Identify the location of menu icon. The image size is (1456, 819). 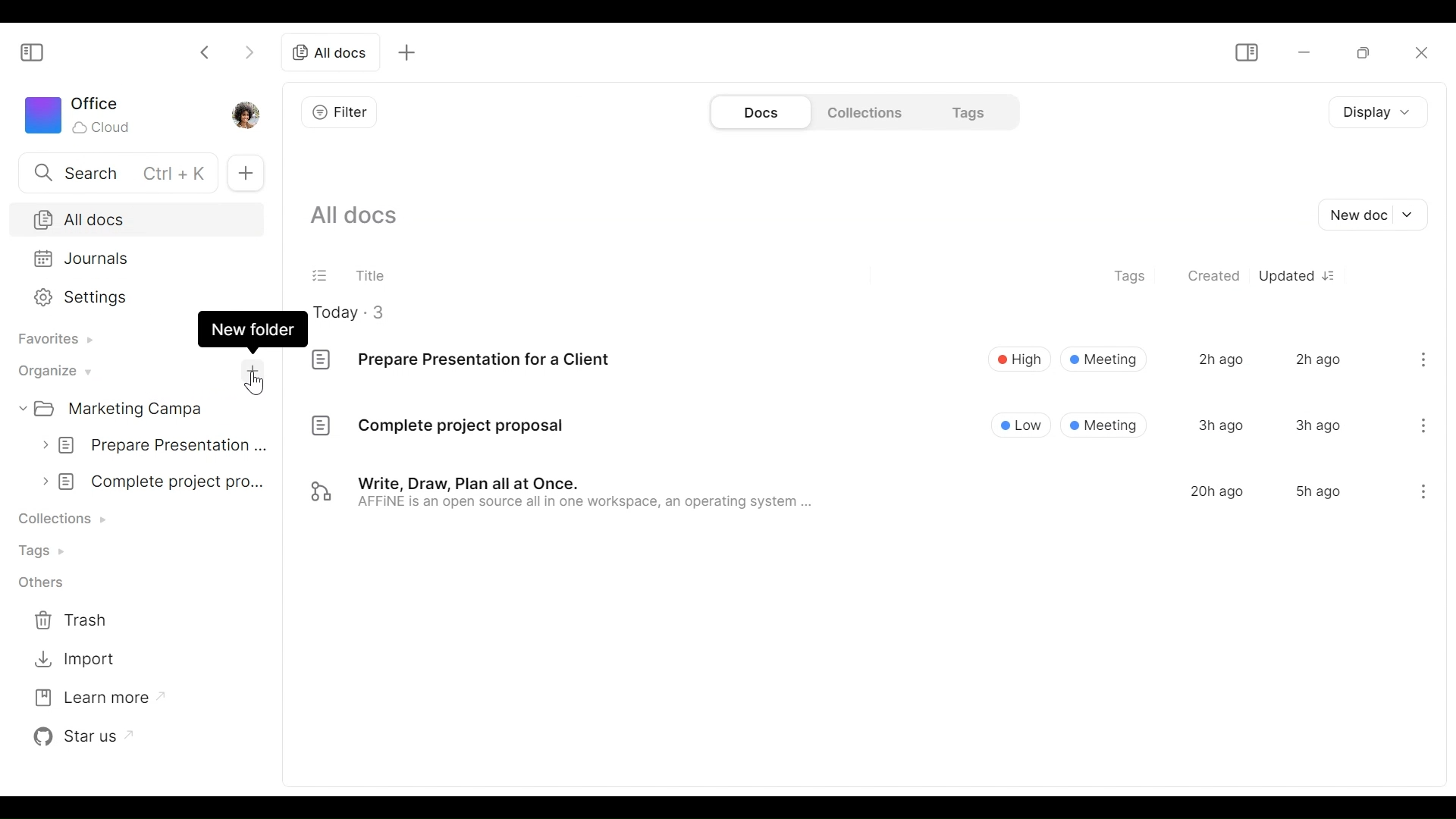
(1421, 494).